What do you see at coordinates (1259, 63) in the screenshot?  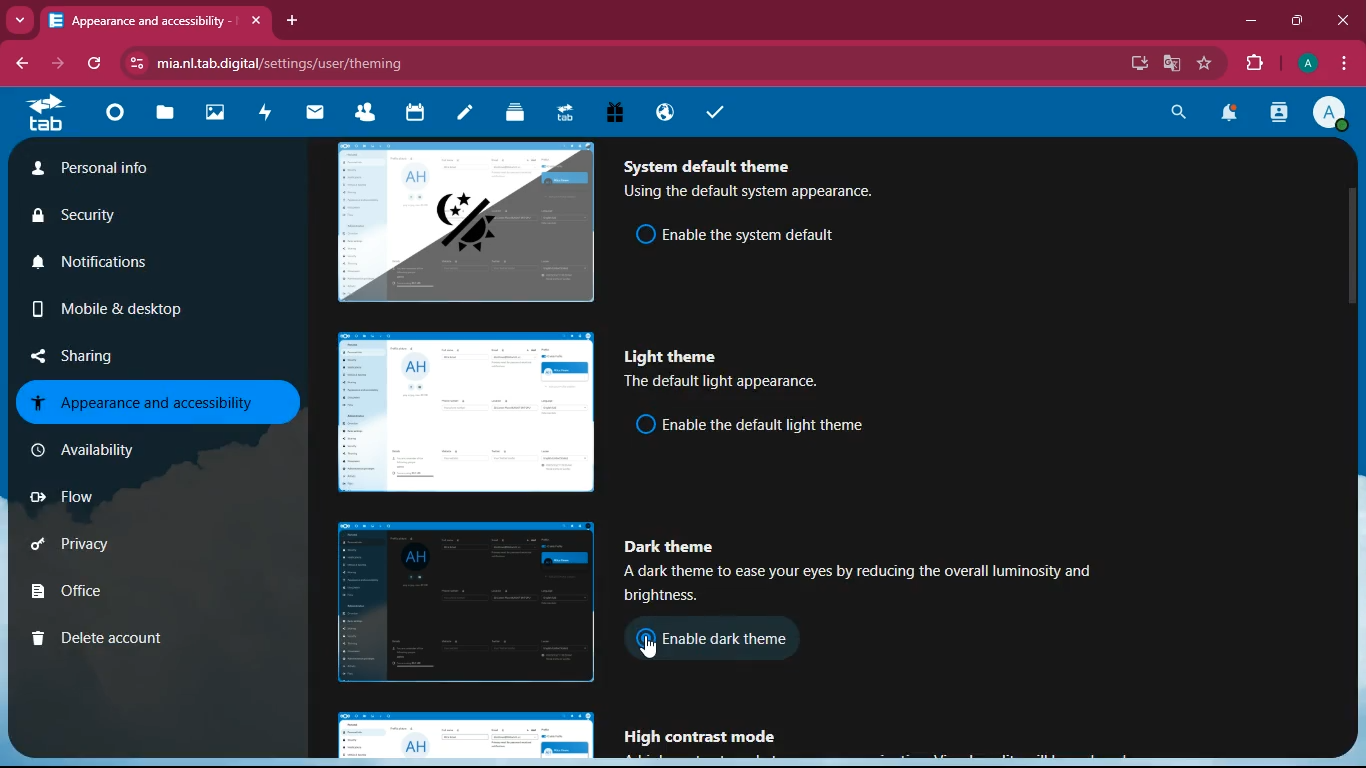 I see `extension` at bounding box center [1259, 63].